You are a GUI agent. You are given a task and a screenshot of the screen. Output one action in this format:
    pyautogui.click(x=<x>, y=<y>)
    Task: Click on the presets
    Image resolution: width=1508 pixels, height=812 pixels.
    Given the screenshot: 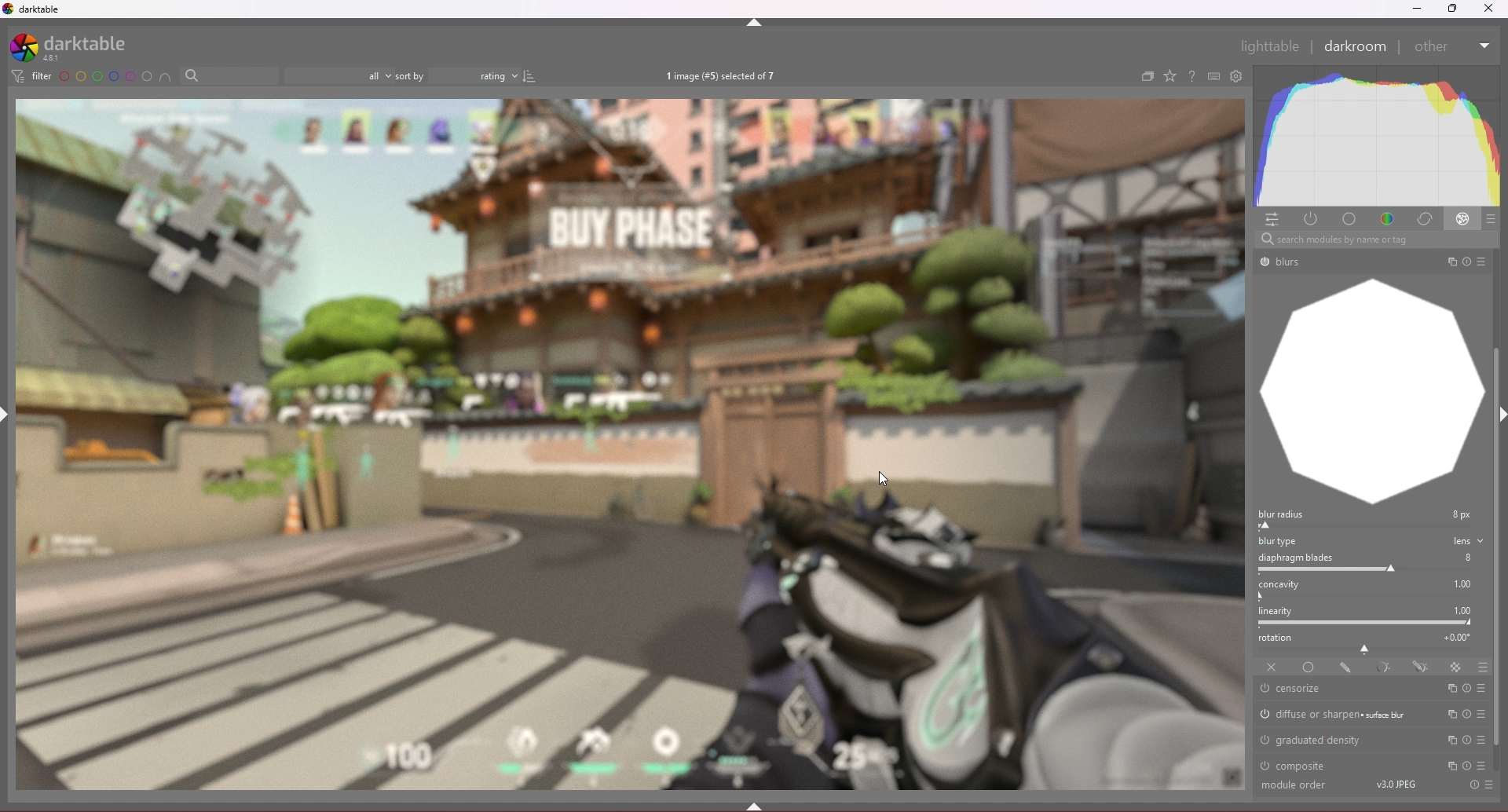 What is the action you would take?
    pyautogui.click(x=1492, y=219)
    